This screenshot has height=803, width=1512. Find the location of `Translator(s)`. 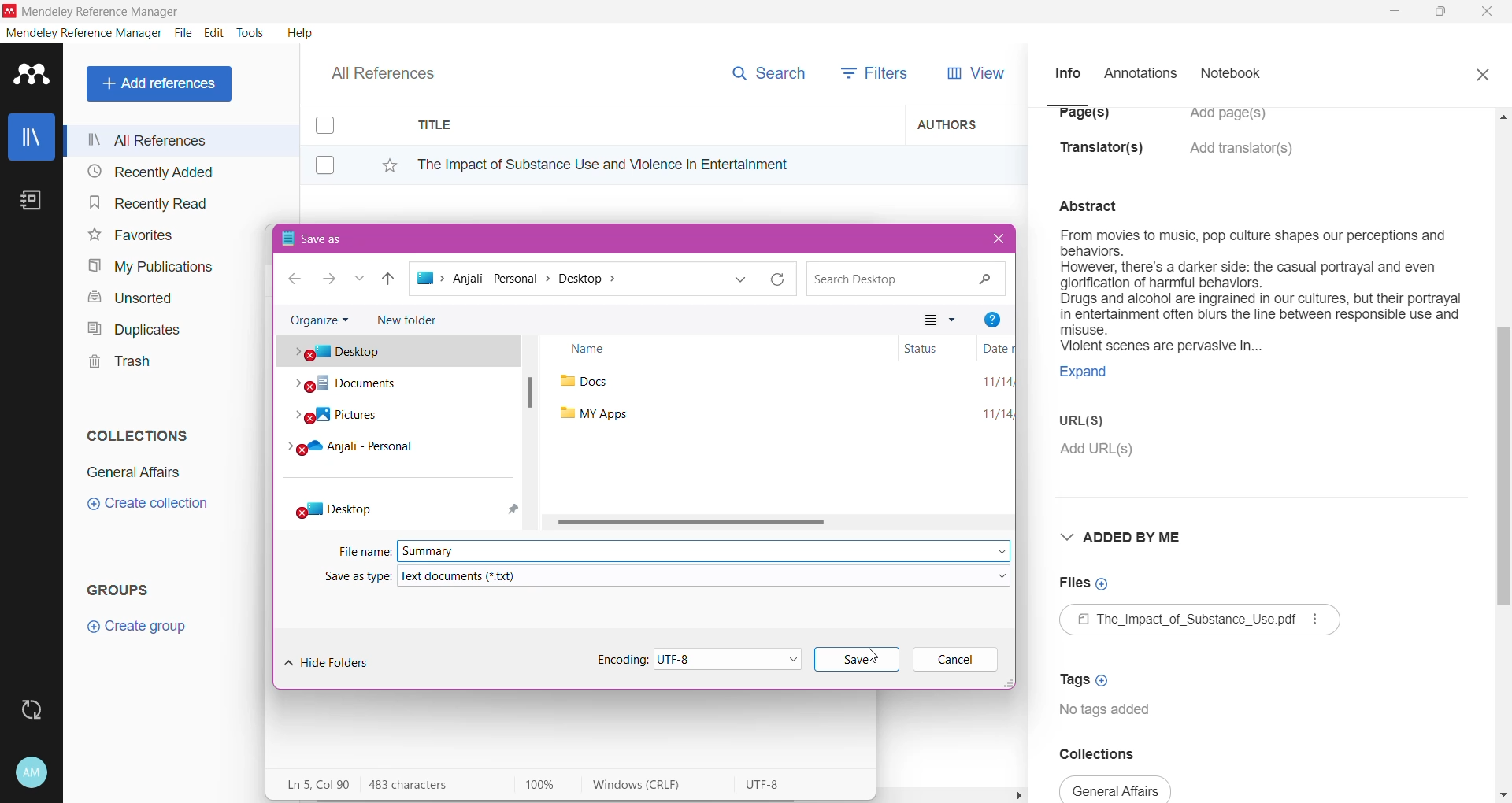

Translator(s) is located at coordinates (1106, 155).